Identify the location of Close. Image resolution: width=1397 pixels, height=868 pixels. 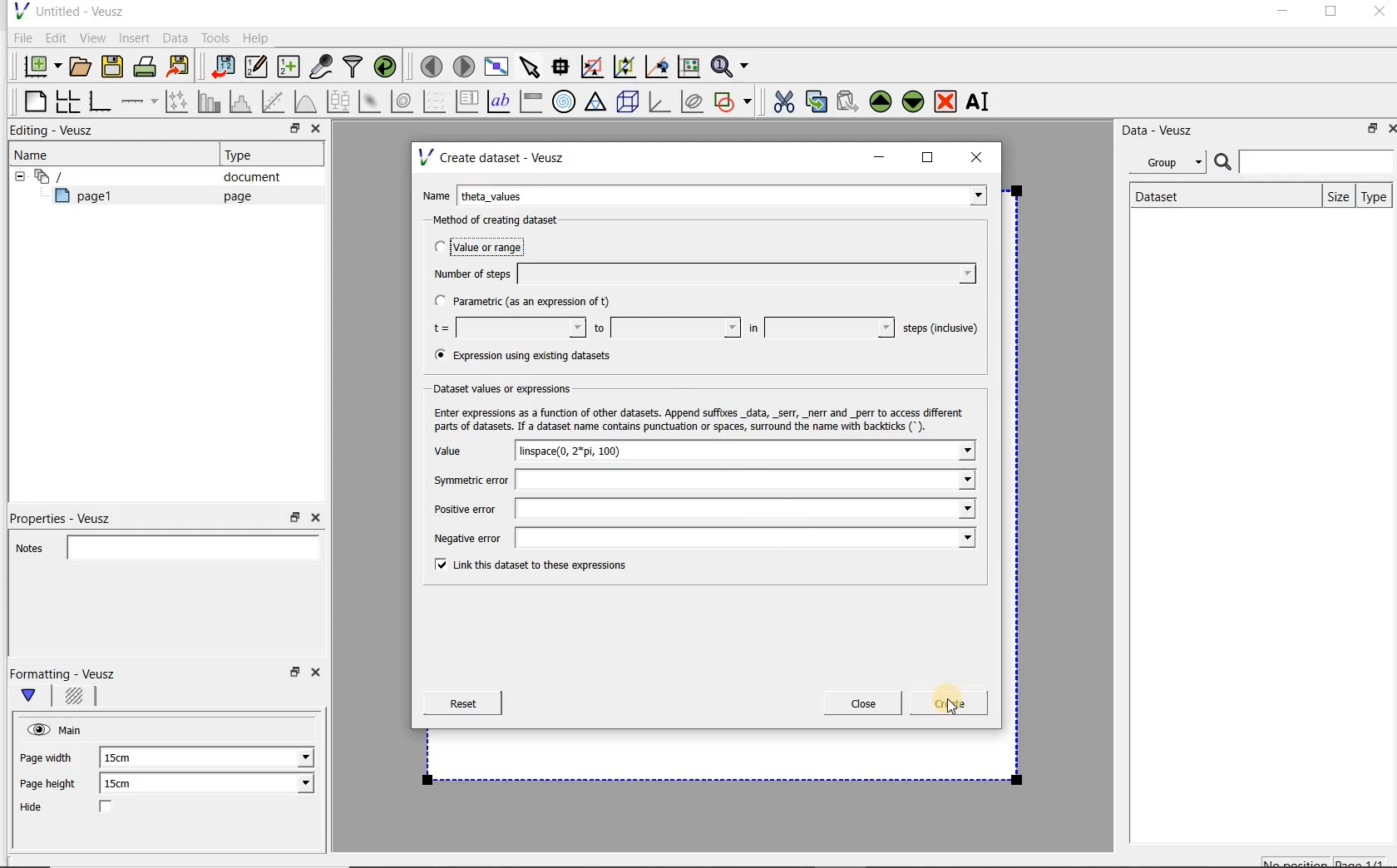
(1378, 14).